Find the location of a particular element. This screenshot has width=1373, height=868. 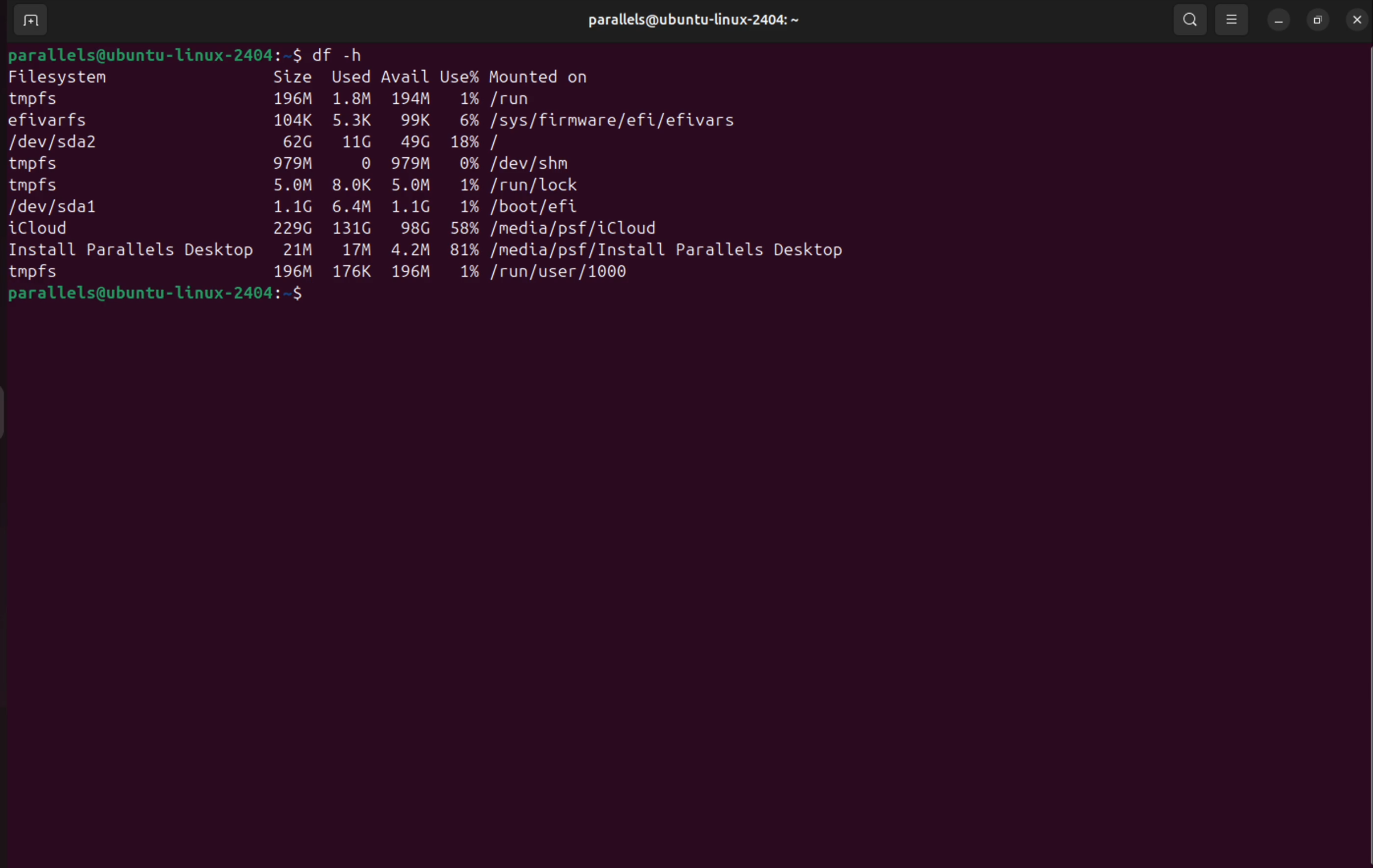

parallels@ubuntu-linux-2404:~ is located at coordinates (697, 19).